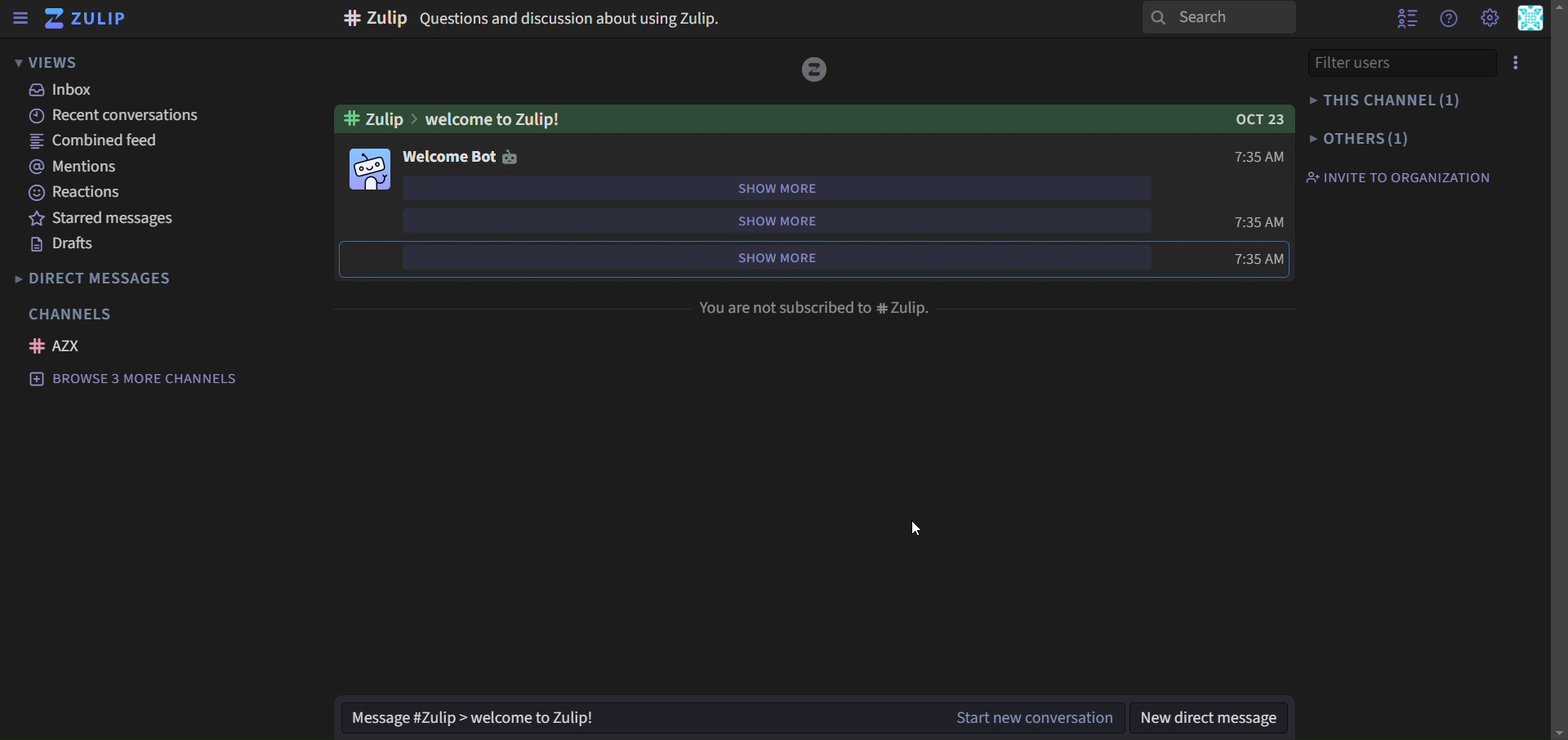 The width and height of the screenshot is (1568, 740). What do you see at coordinates (1518, 60) in the screenshot?
I see `menu` at bounding box center [1518, 60].